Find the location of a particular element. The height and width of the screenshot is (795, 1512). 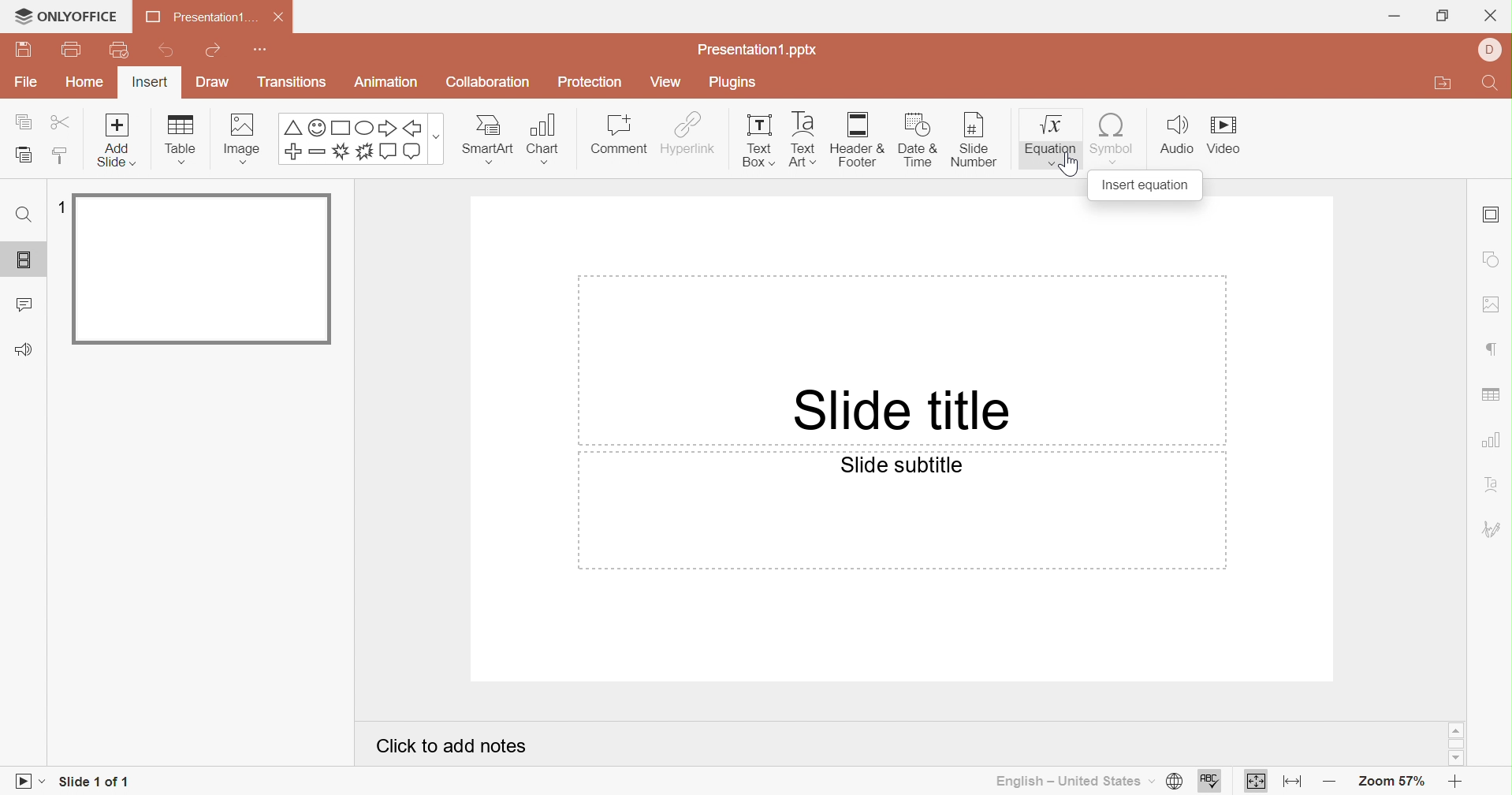

image settings is located at coordinates (1491, 303).